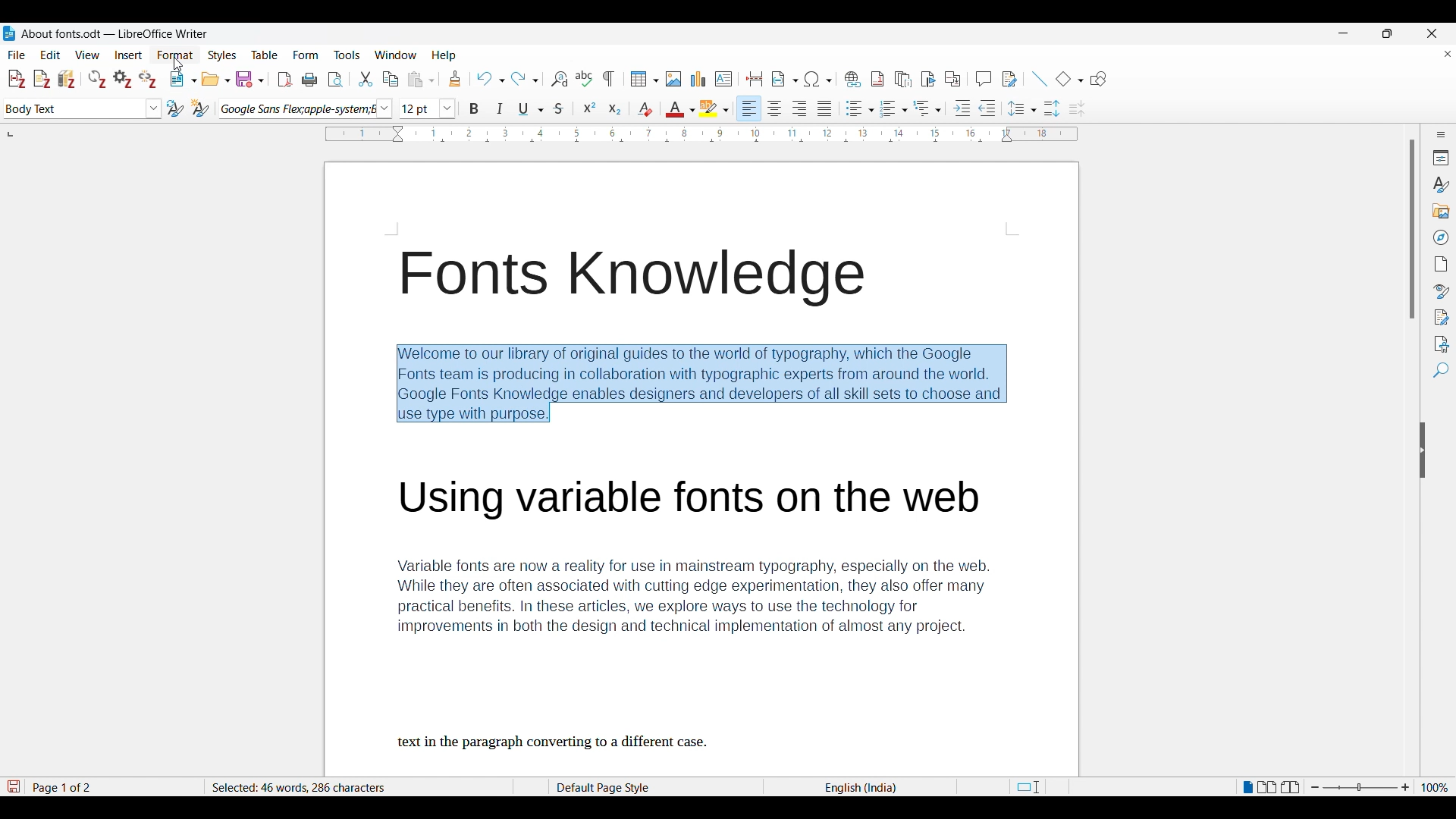  I want to click on Single page view, so click(1247, 787).